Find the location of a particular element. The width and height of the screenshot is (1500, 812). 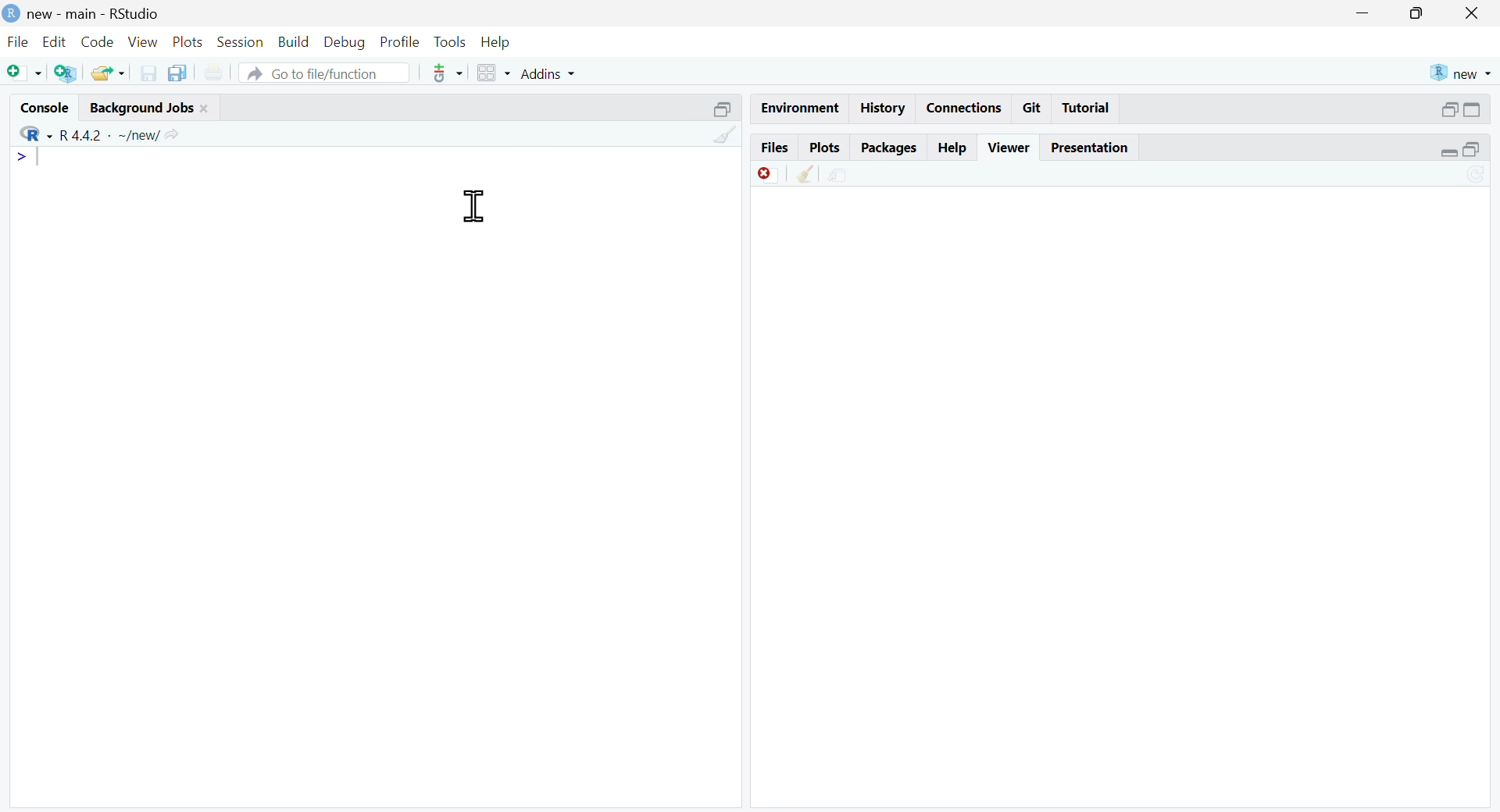

delete file is located at coordinates (768, 175).